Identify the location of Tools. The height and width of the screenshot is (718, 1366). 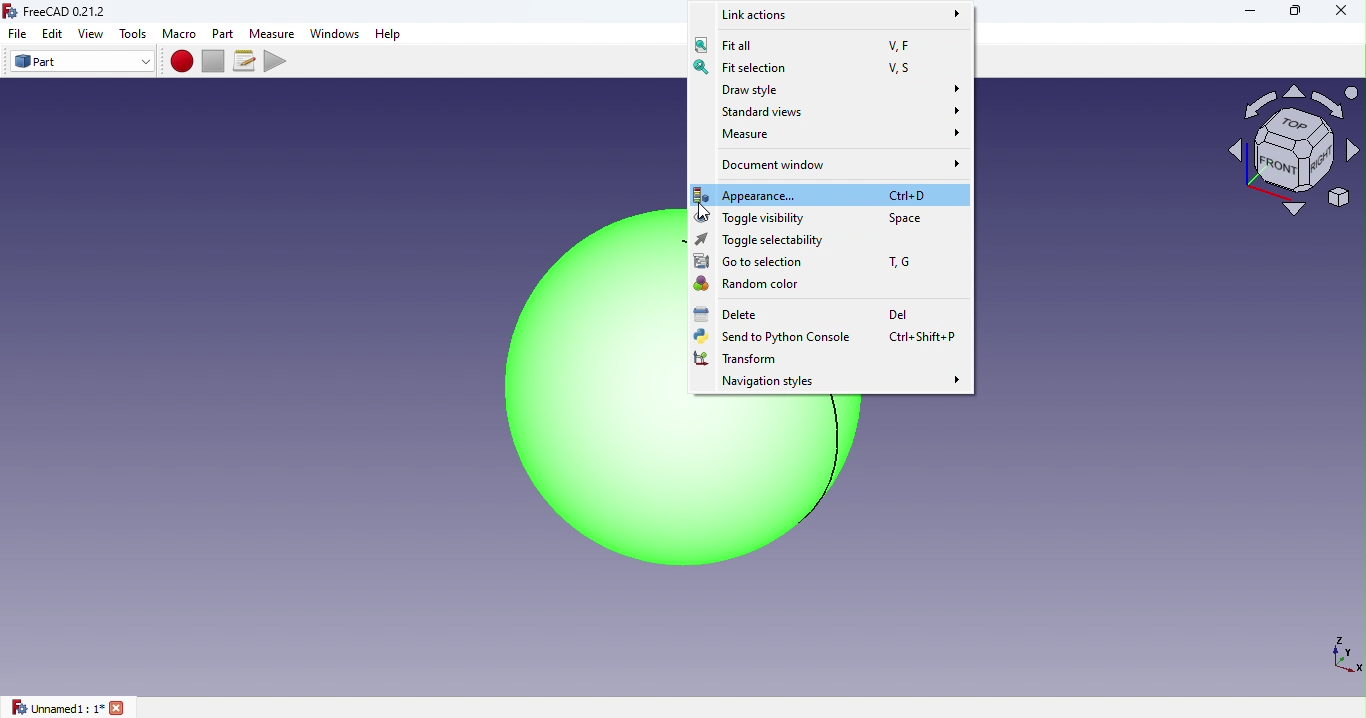
(134, 34).